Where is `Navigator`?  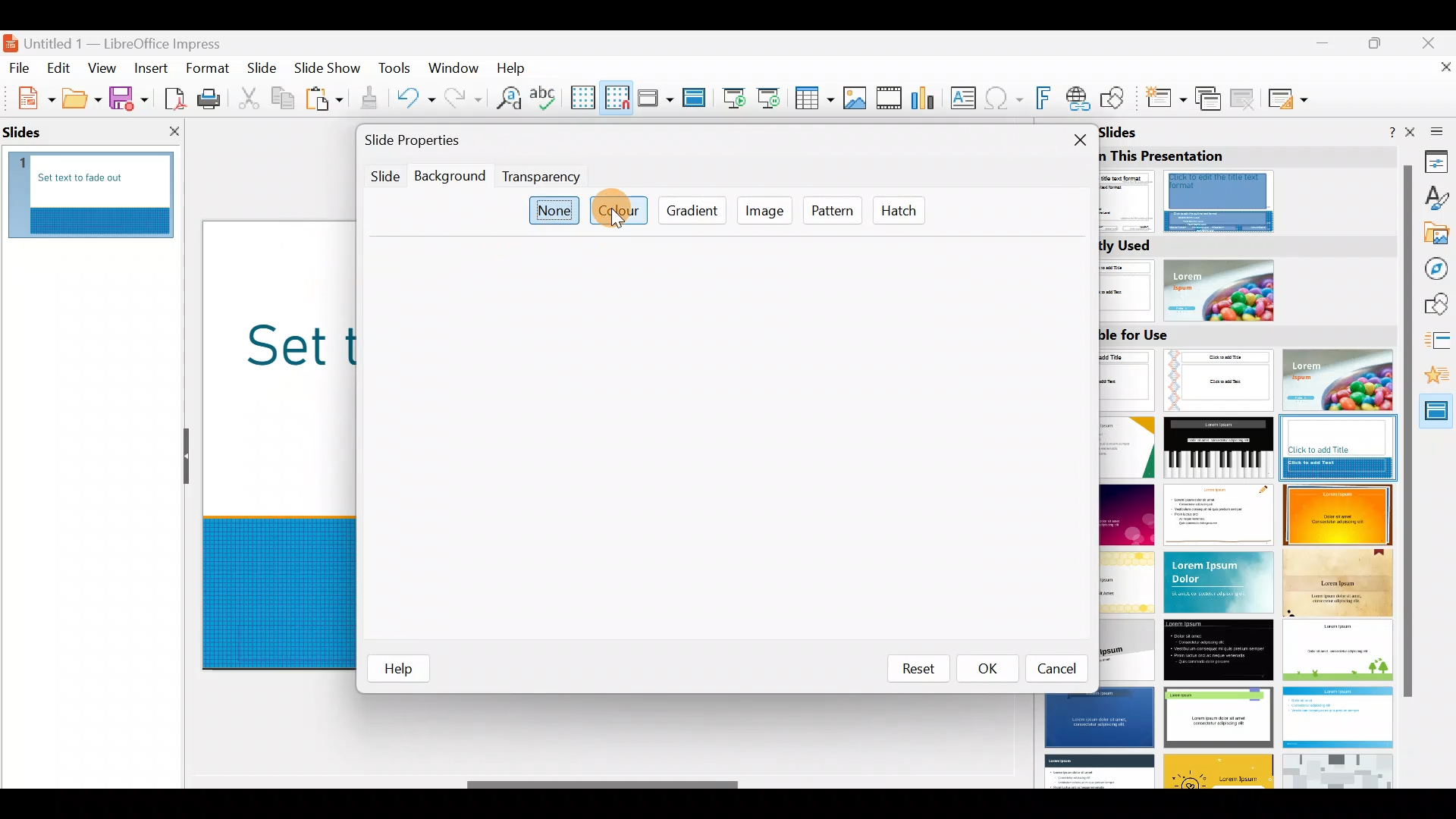
Navigator is located at coordinates (1439, 269).